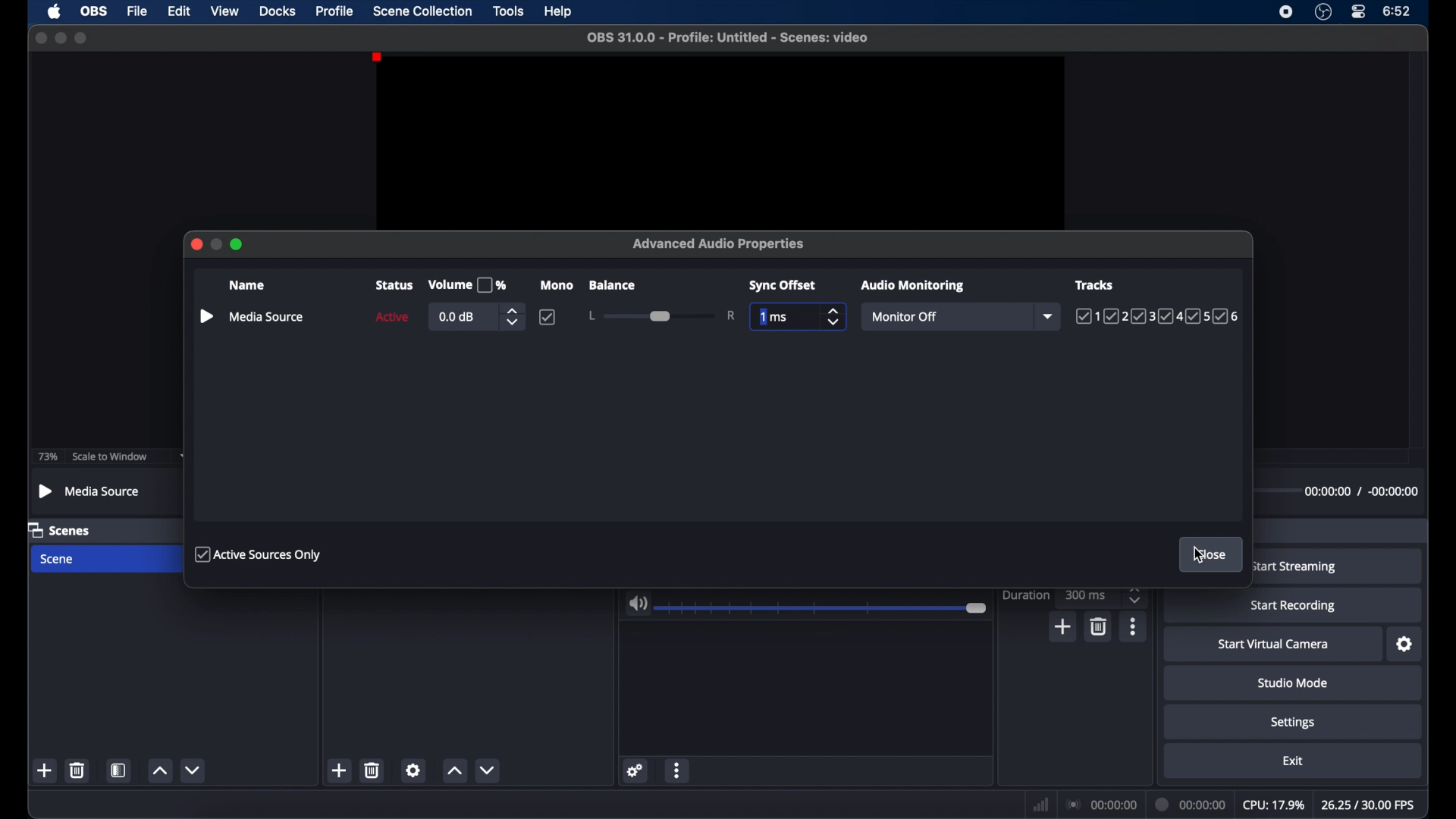 Image resolution: width=1456 pixels, height=819 pixels. I want to click on stepper butons, so click(513, 316).